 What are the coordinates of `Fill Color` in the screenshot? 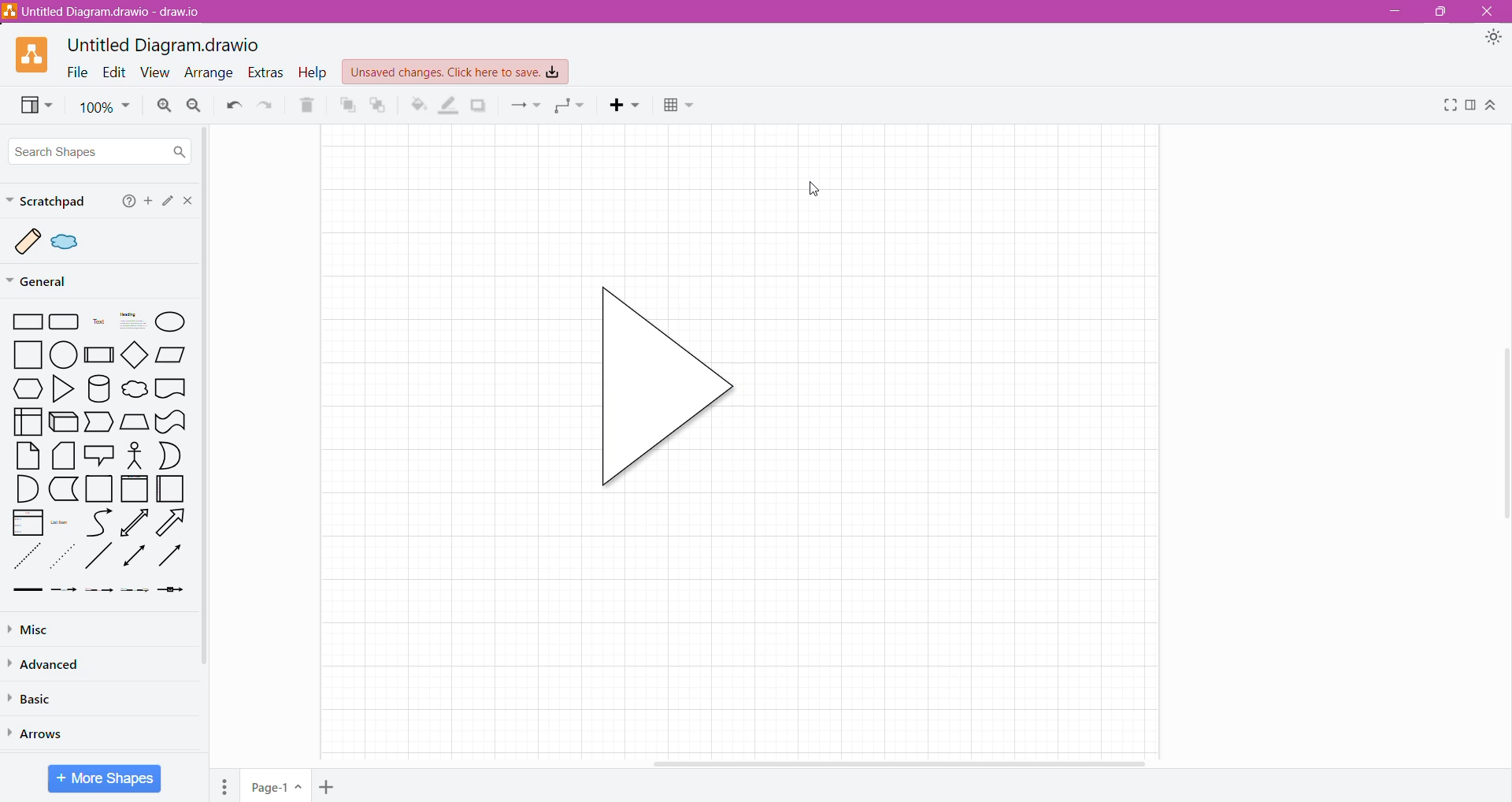 It's located at (418, 106).